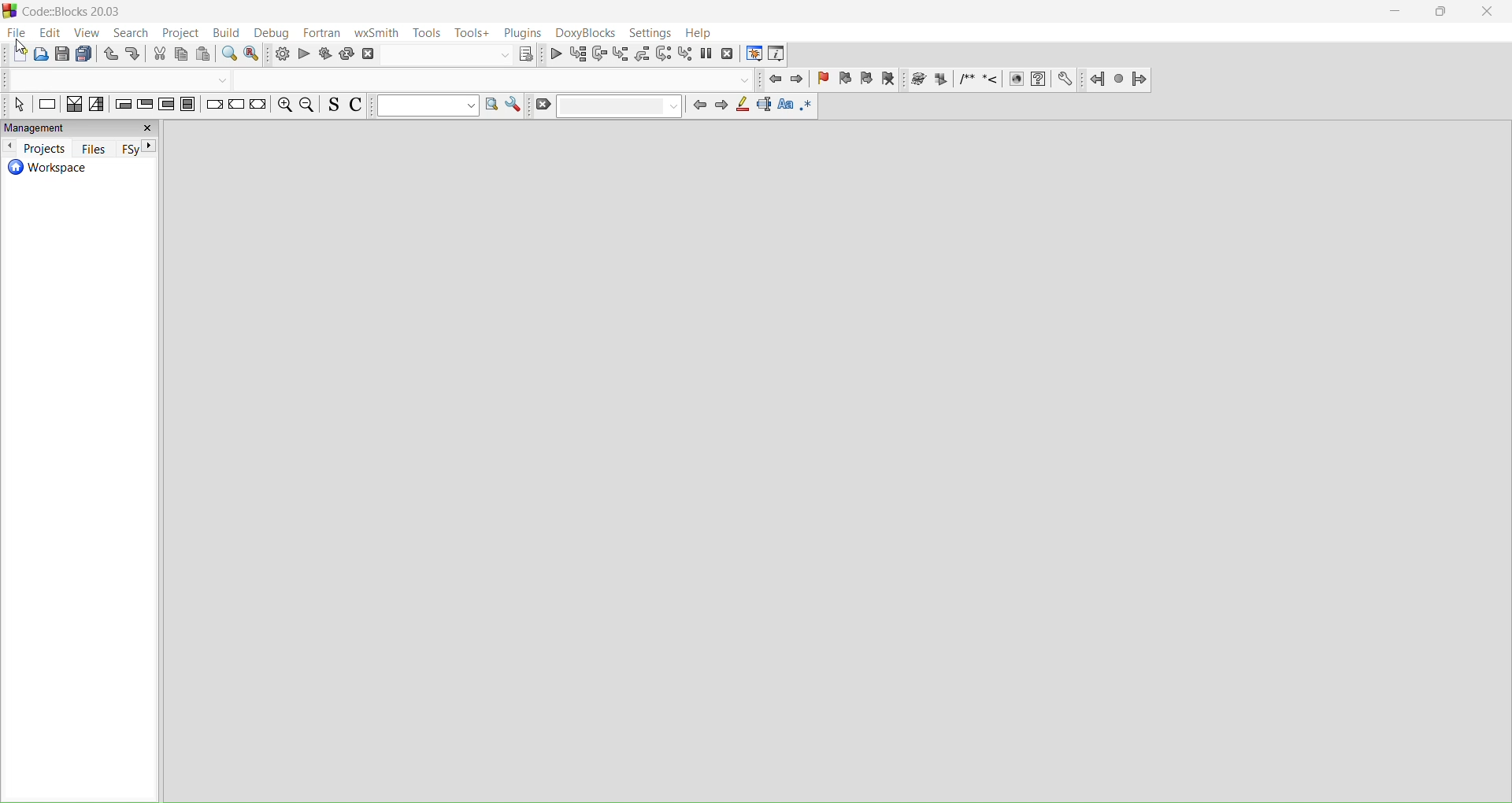 The height and width of the screenshot is (803, 1512). Describe the element at coordinates (578, 54) in the screenshot. I see `run to cursor` at that location.